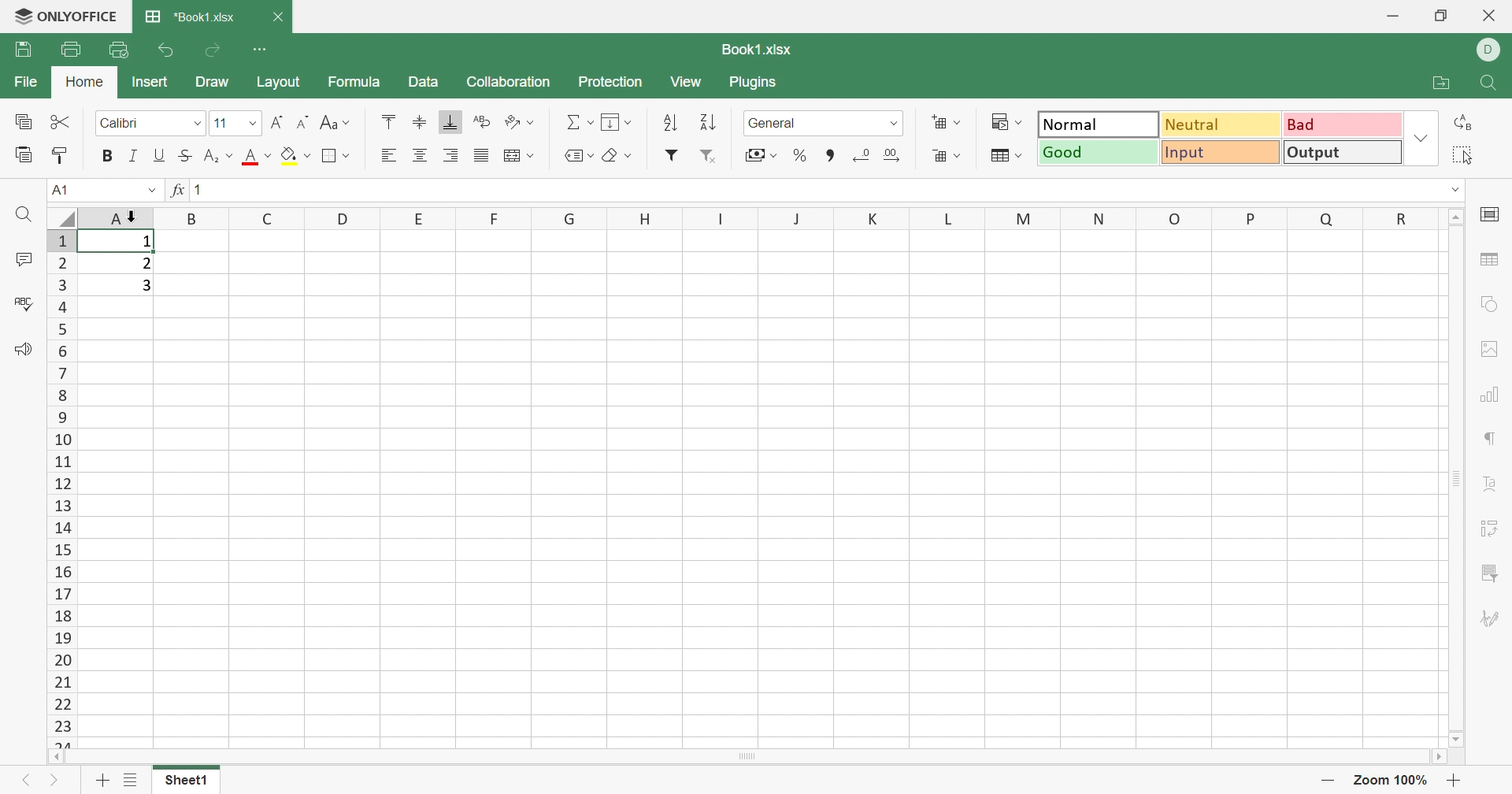 The height and width of the screenshot is (794, 1512). What do you see at coordinates (29, 82) in the screenshot?
I see `File` at bounding box center [29, 82].